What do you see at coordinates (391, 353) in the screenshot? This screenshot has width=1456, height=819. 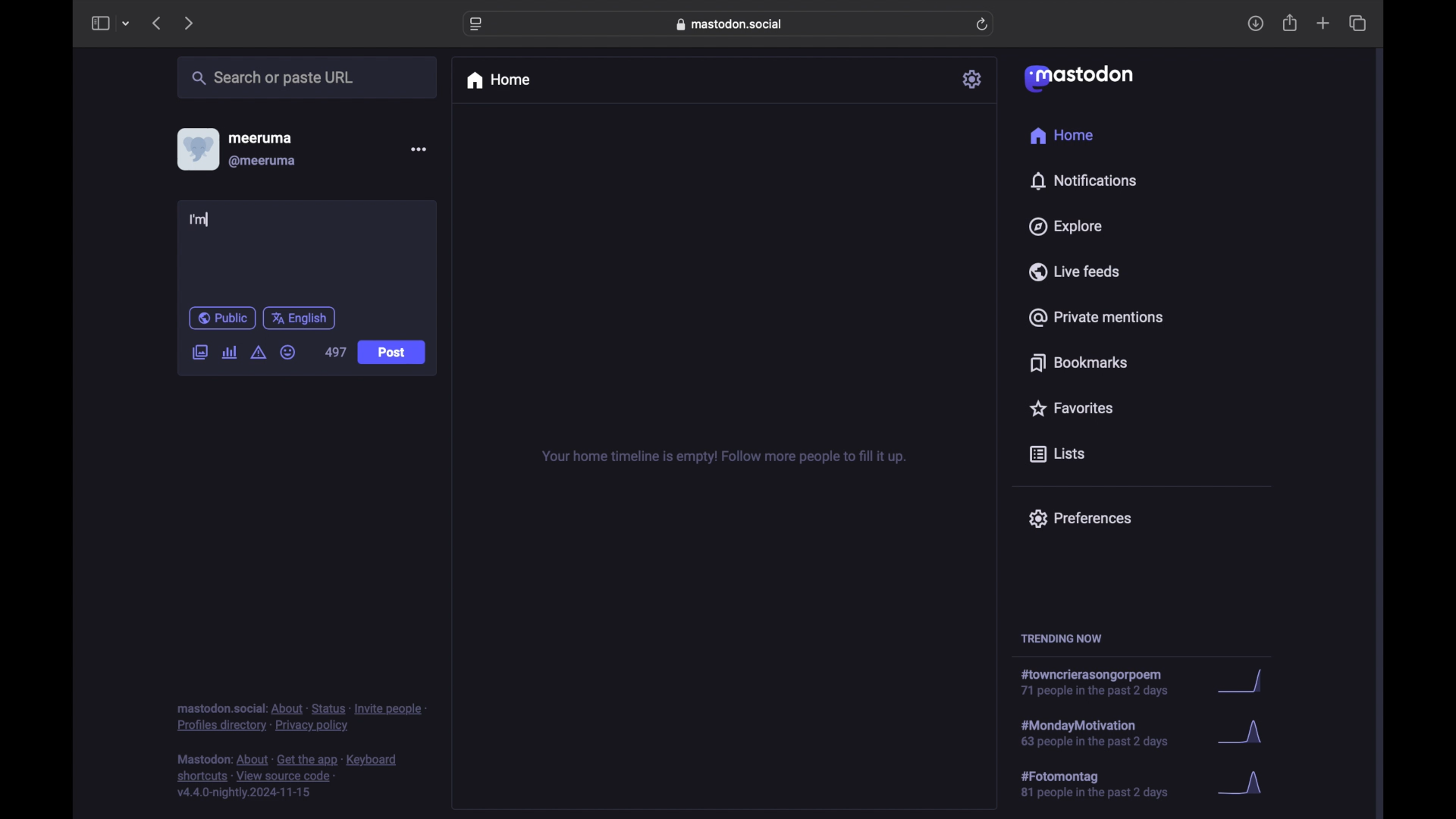 I see `post` at bounding box center [391, 353].